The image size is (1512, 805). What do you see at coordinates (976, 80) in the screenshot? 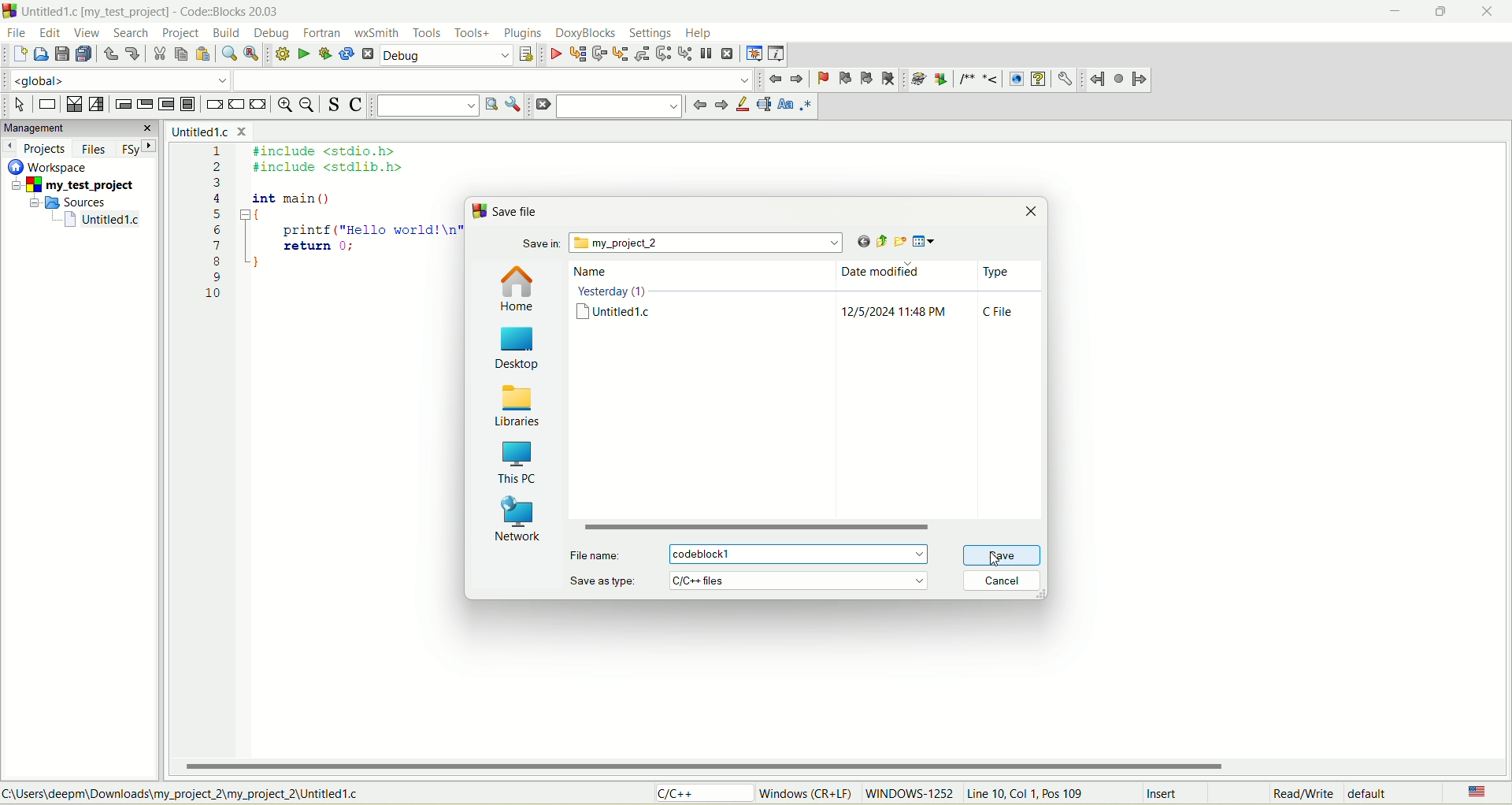
I see `comment` at bounding box center [976, 80].